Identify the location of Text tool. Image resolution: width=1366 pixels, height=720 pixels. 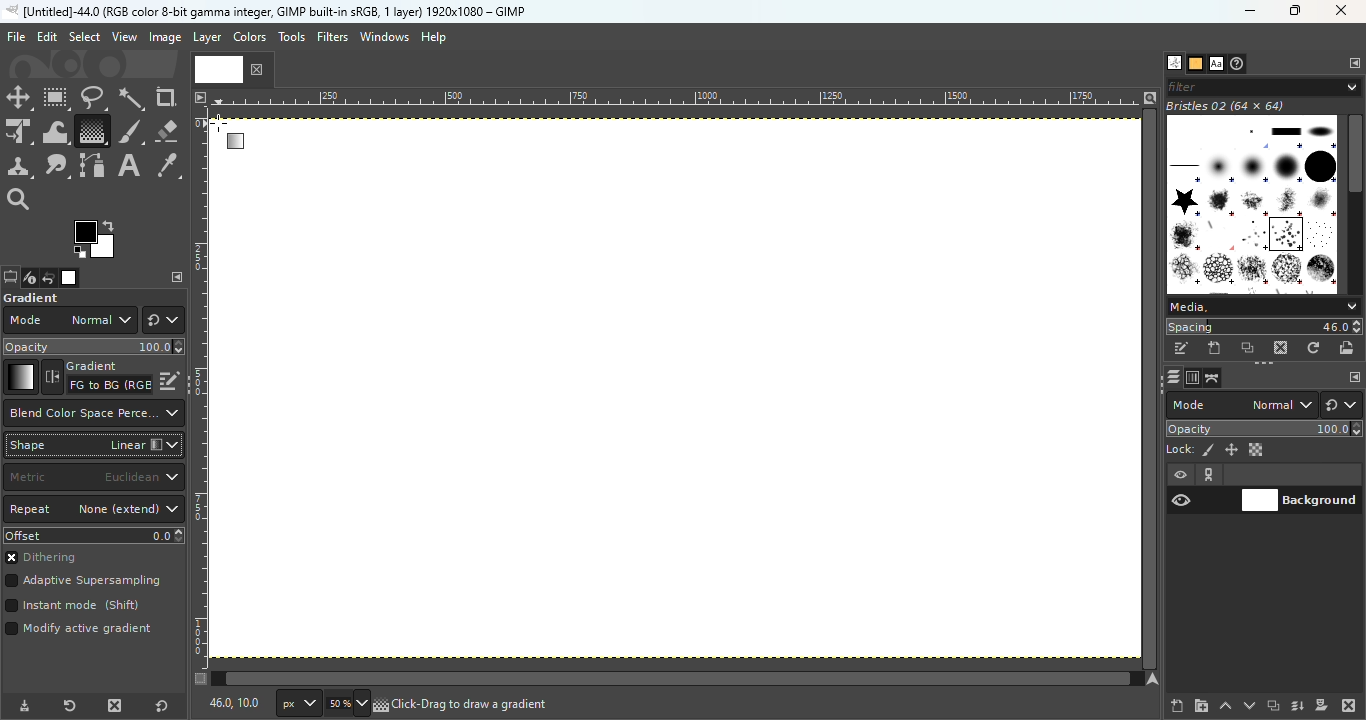
(129, 166).